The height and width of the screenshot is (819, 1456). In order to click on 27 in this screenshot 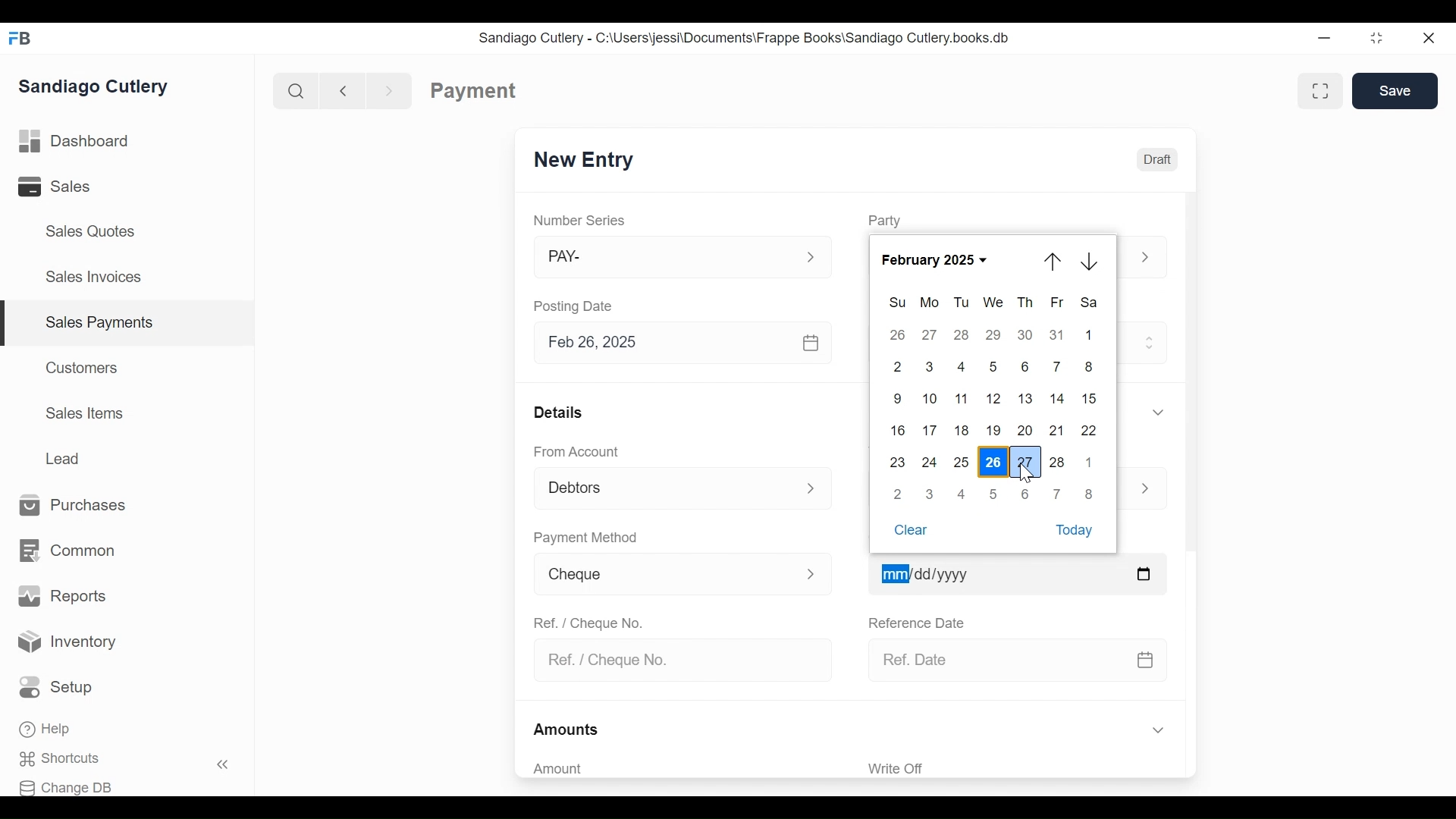, I will do `click(1028, 462)`.